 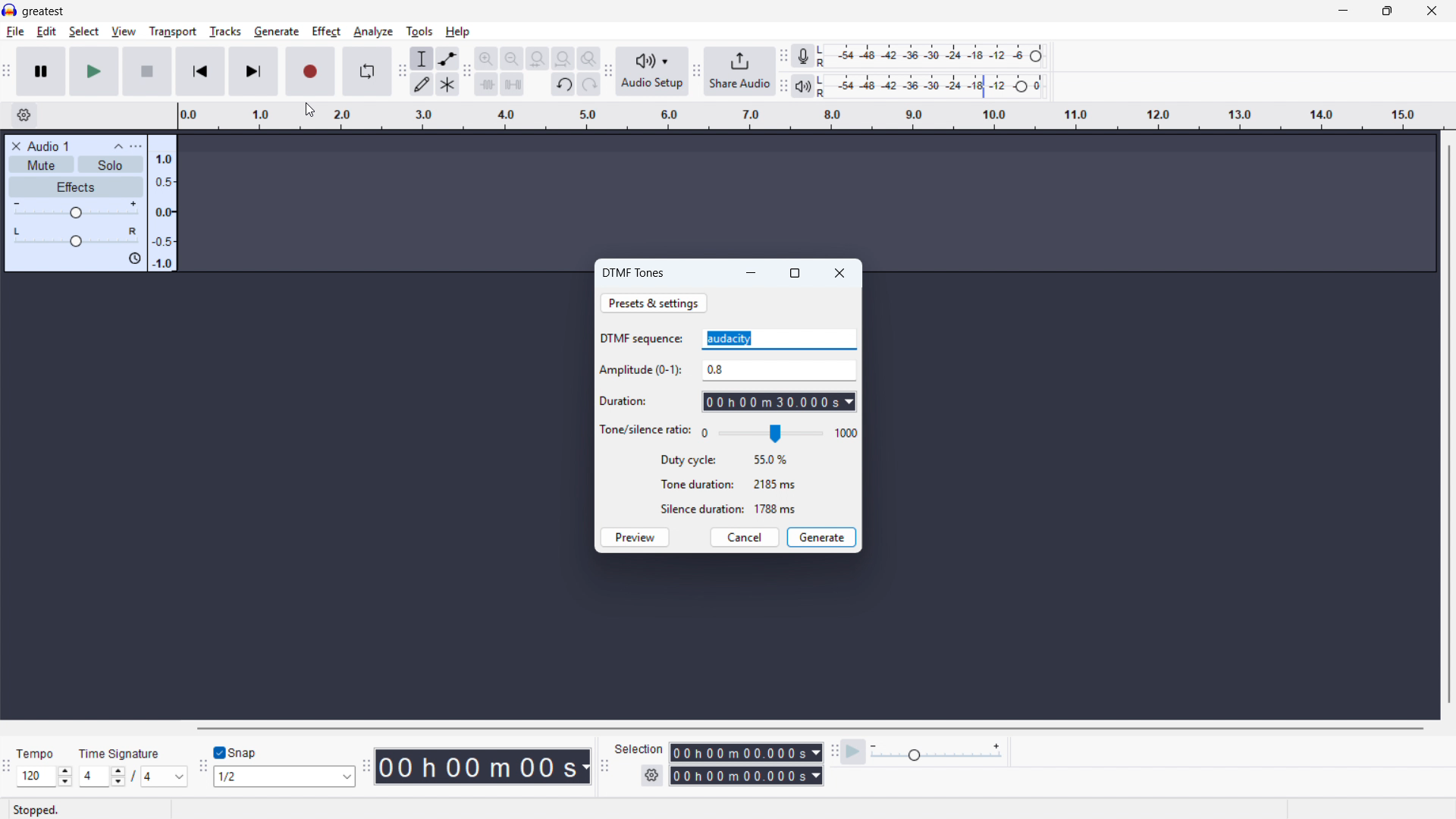 I want to click on silence duration: 1788 ms, so click(x=727, y=509).